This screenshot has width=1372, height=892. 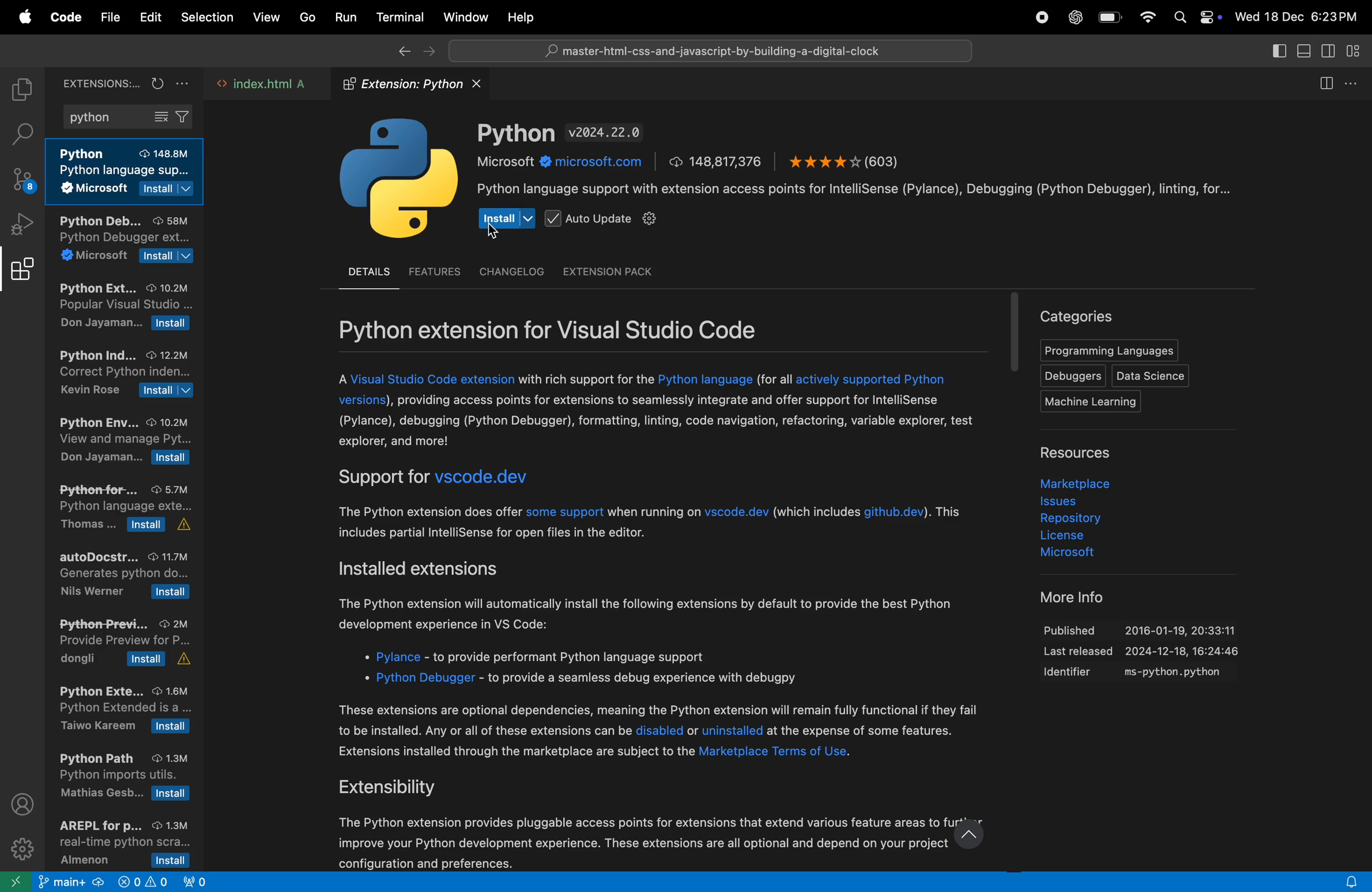 What do you see at coordinates (606, 133) in the screenshot?
I see `v 2024` at bounding box center [606, 133].